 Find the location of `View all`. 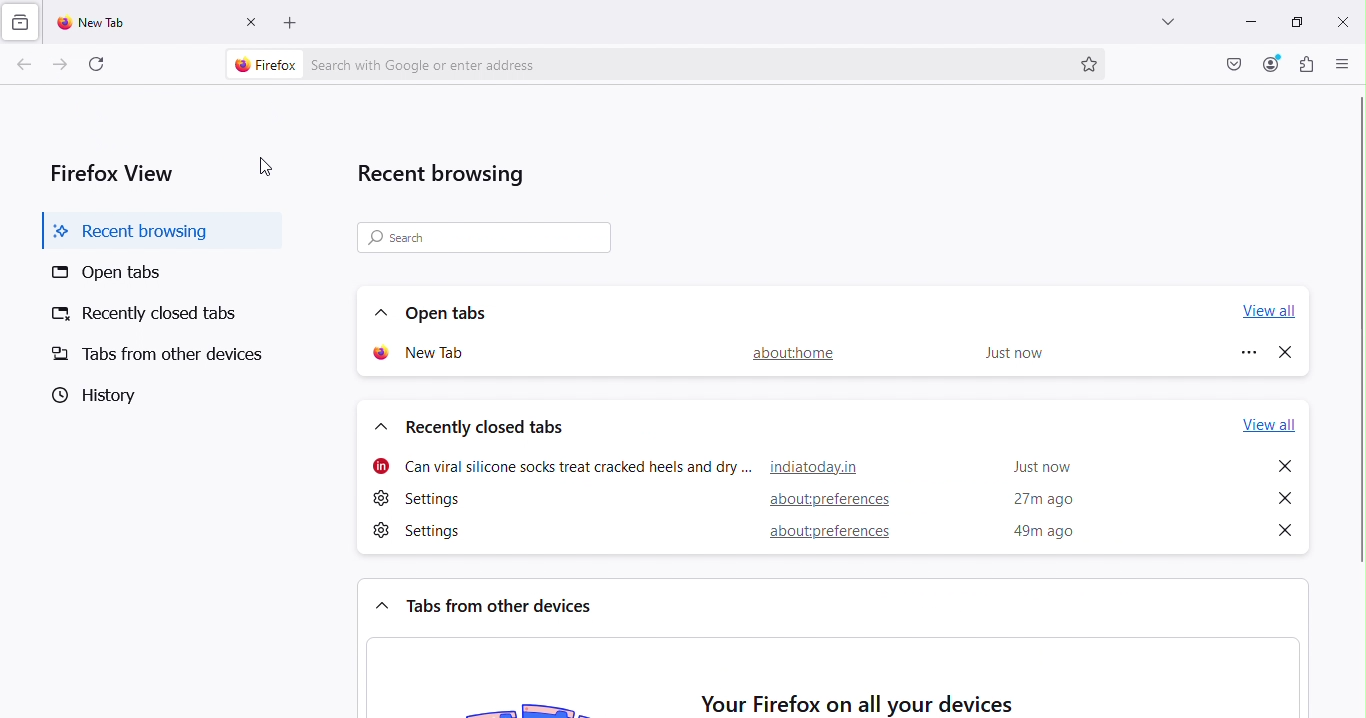

View all is located at coordinates (1268, 424).